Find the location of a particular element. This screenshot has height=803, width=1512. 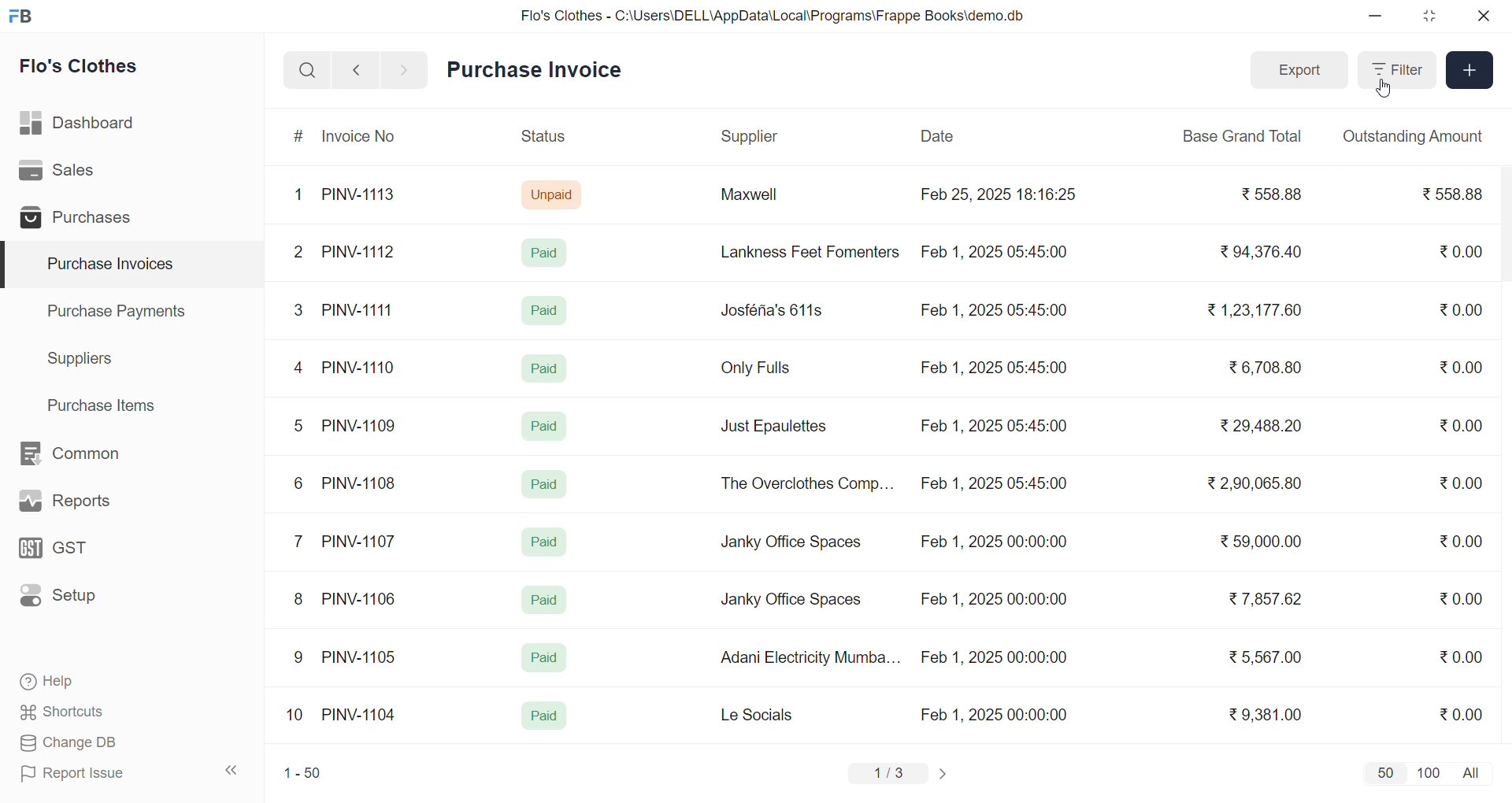

2 is located at coordinates (301, 254).